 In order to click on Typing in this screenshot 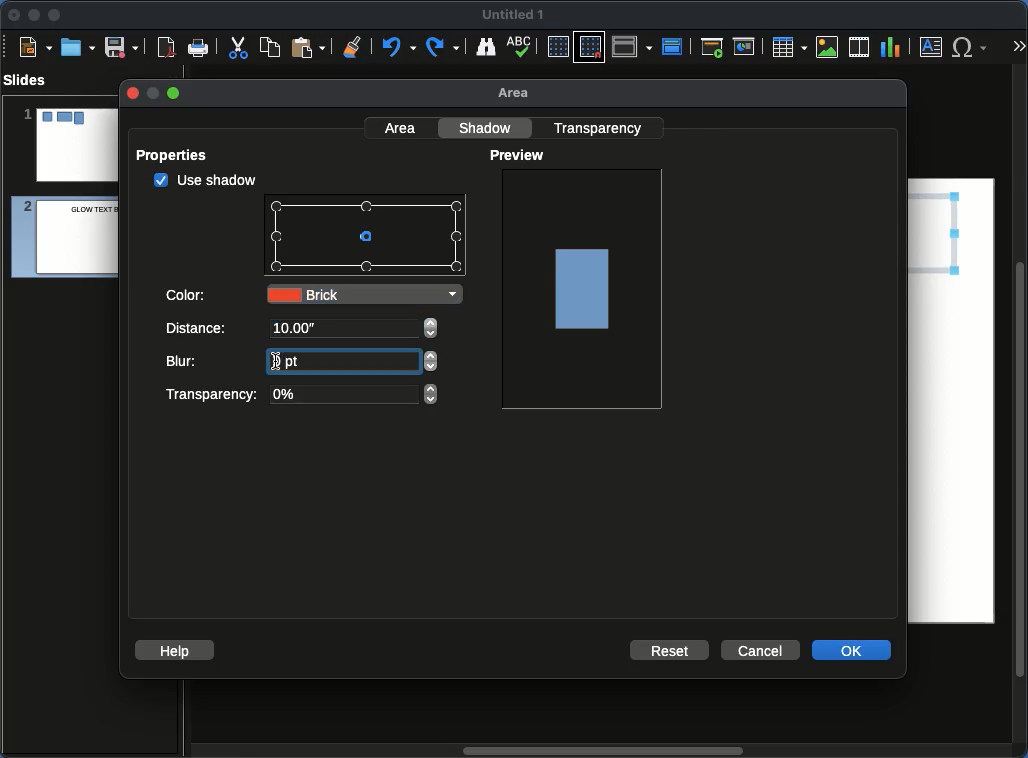, I will do `click(302, 359)`.